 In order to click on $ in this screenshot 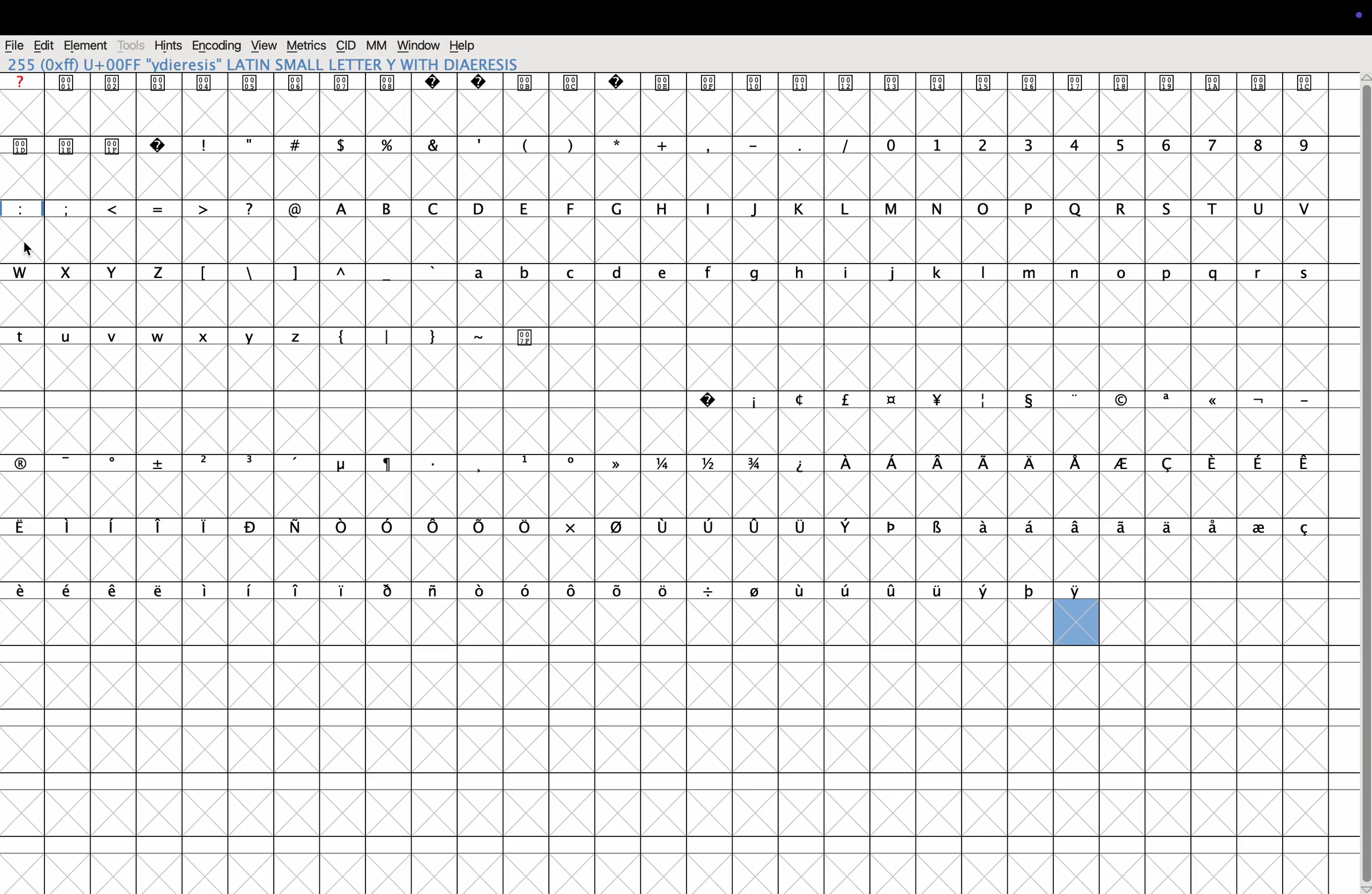, I will do `click(340, 166)`.